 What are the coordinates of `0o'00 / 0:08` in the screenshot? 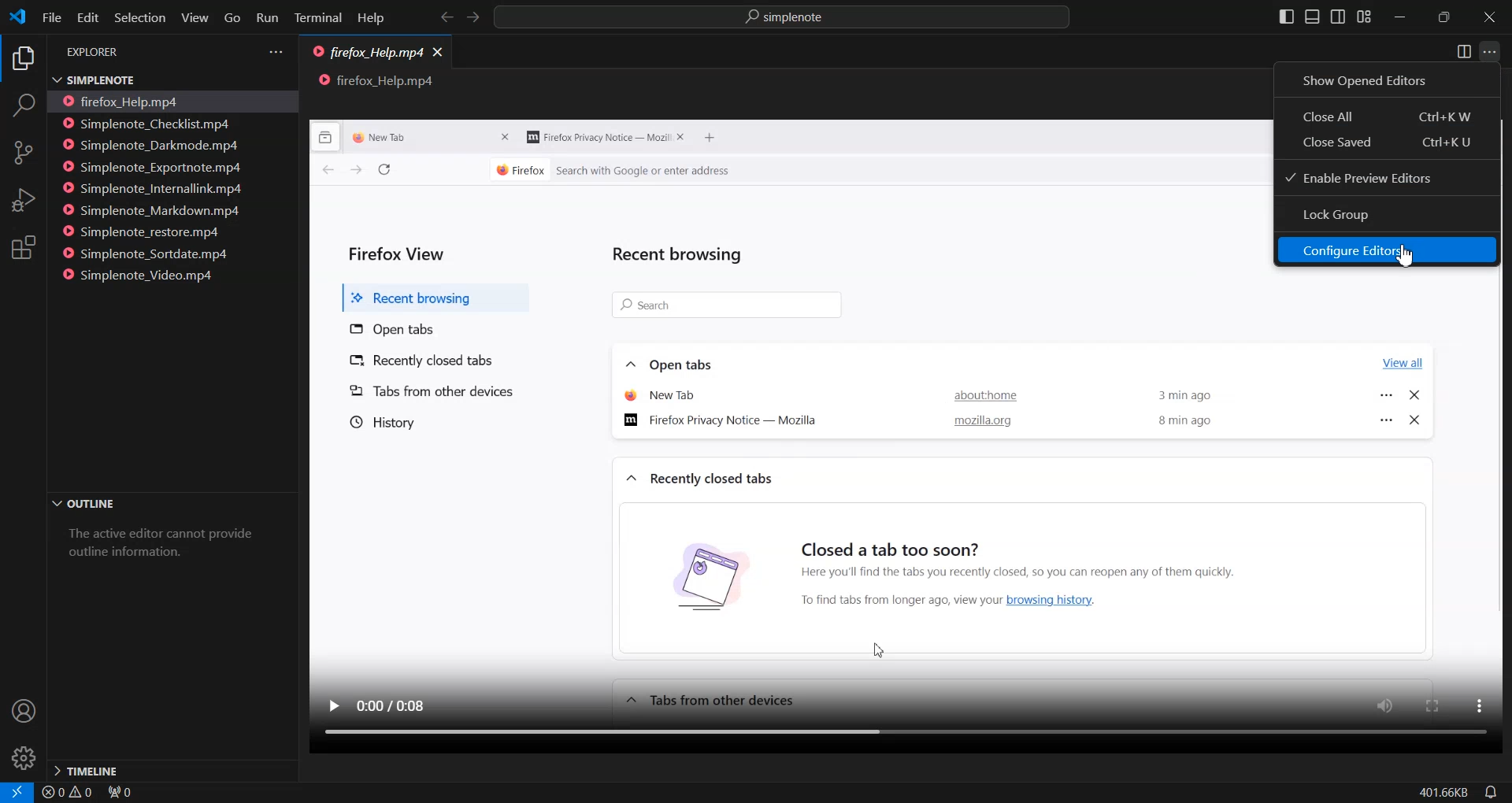 It's located at (398, 701).